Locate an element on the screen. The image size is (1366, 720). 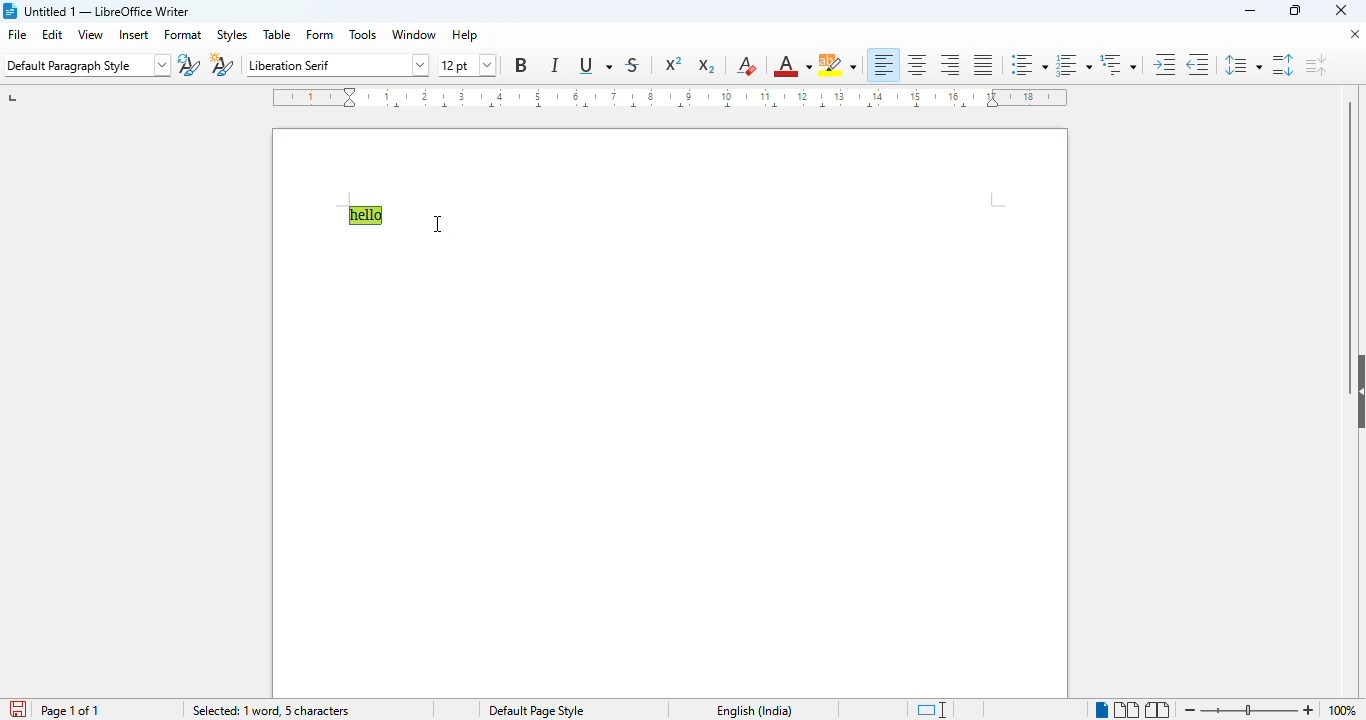
dropdown is located at coordinates (164, 66).